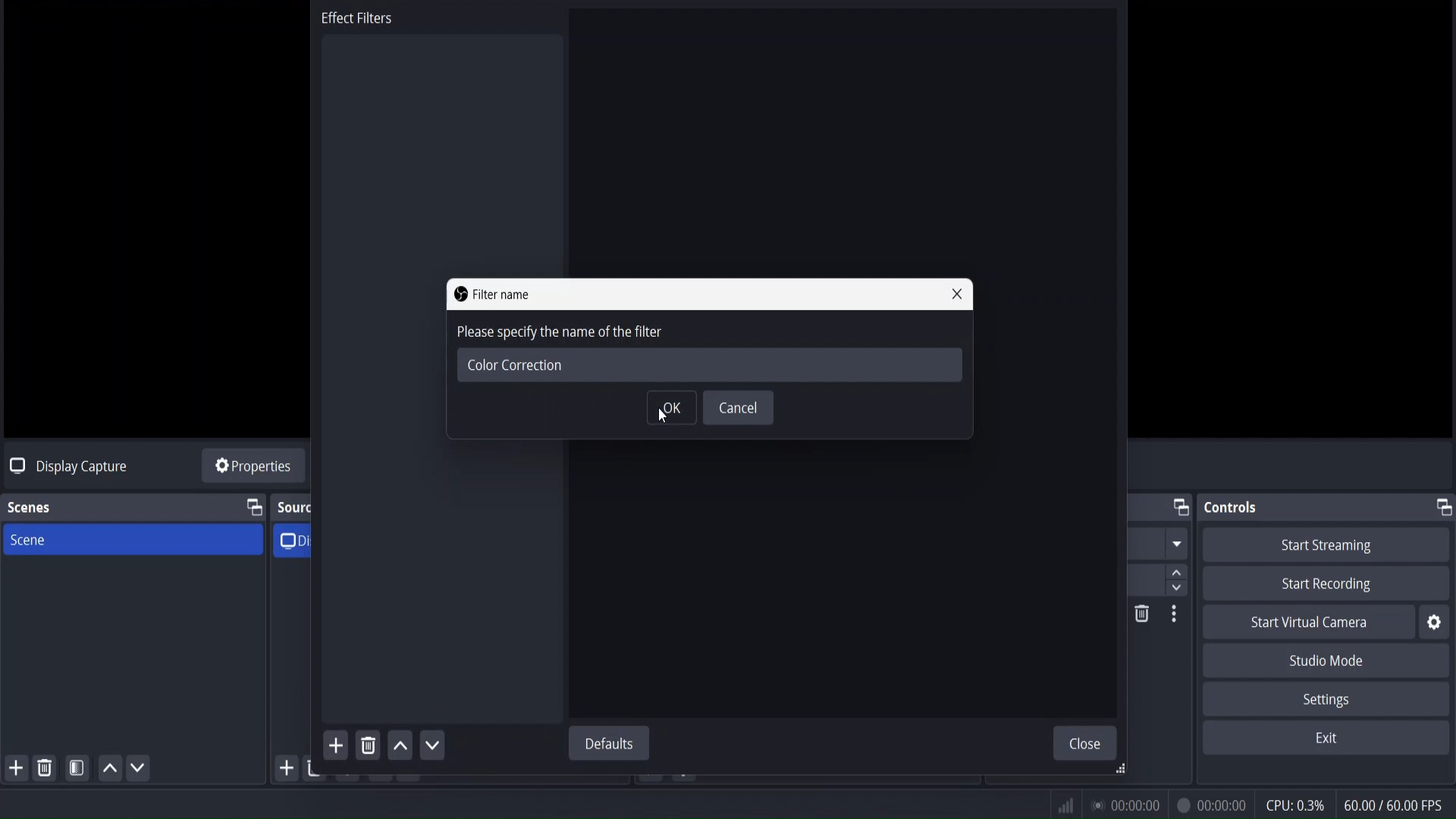 The width and height of the screenshot is (1456, 819). Describe the element at coordinates (46, 767) in the screenshot. I see `remove selected scene` at that location.